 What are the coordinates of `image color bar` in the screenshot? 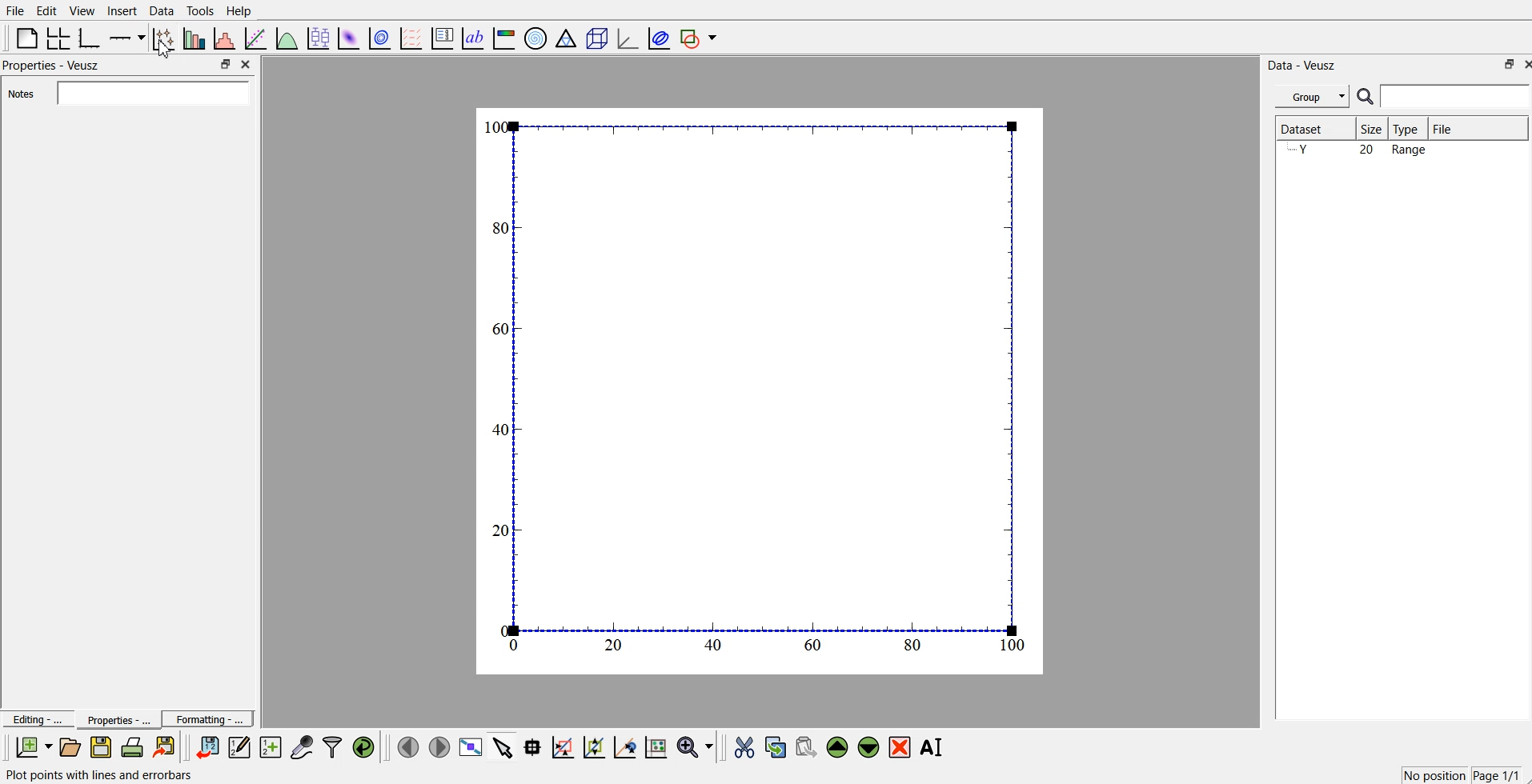 It's located at (505, 37).